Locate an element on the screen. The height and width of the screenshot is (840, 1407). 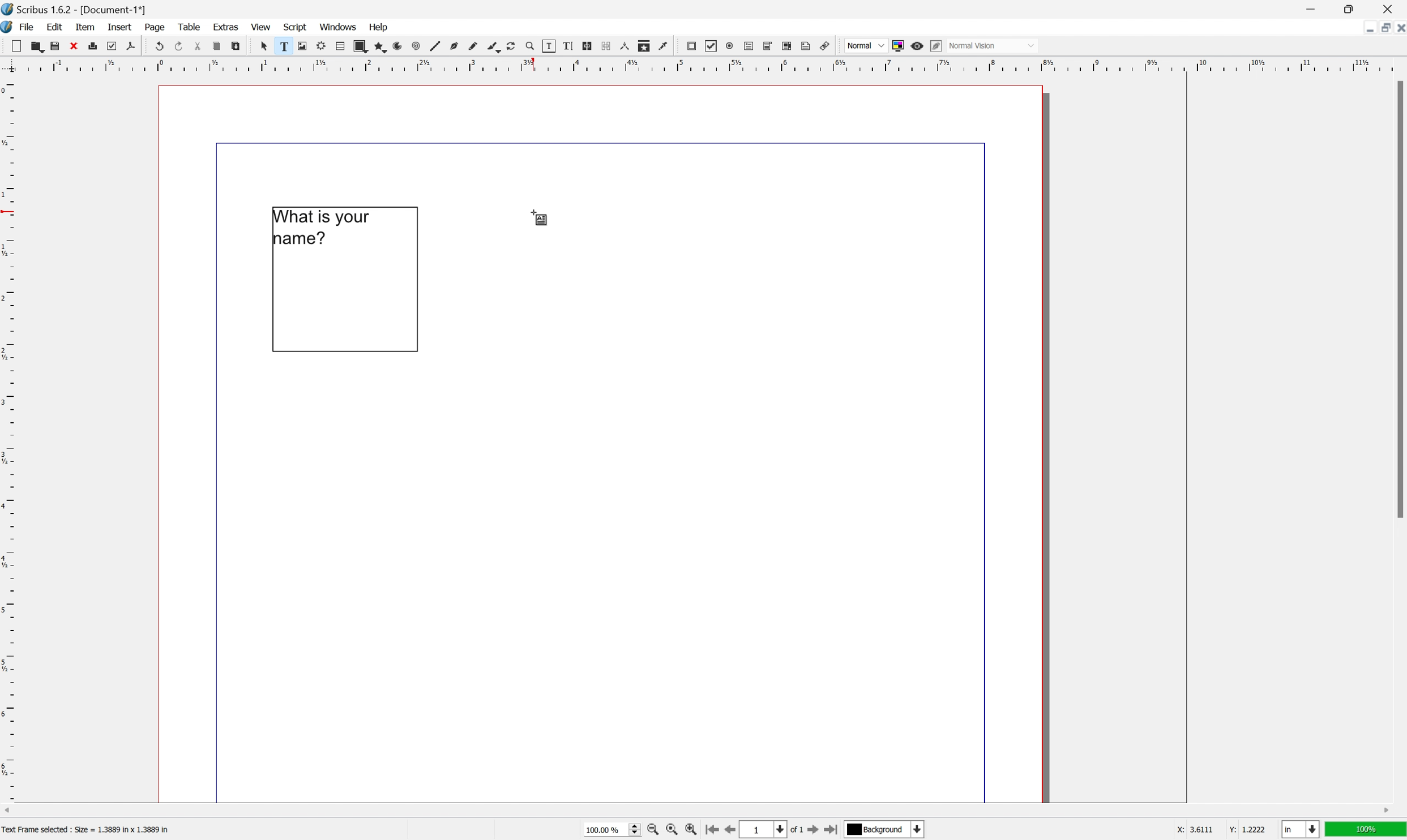
link annotation is located at coordinates (826, 46).